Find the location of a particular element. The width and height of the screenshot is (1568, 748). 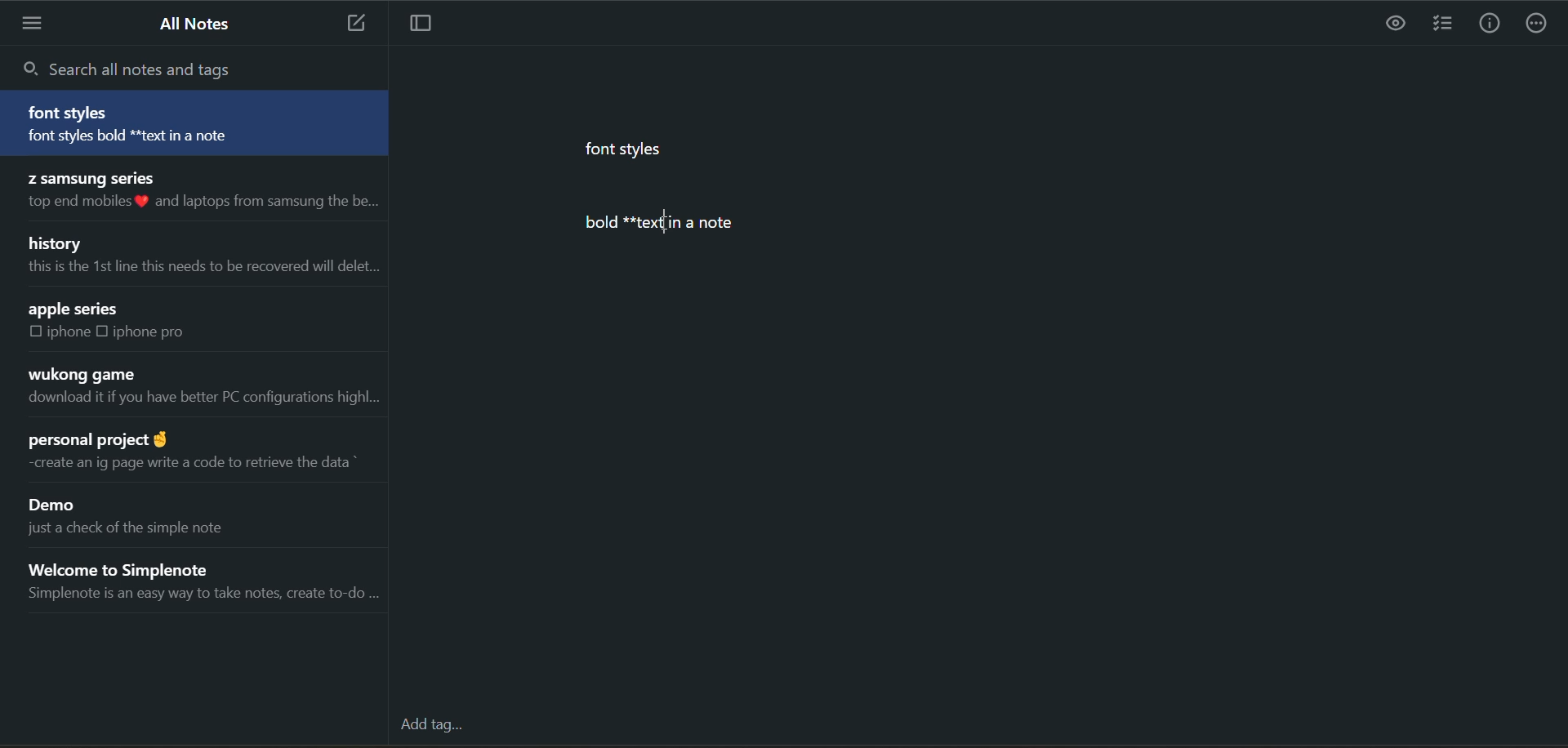

info is located at coordinates (1489, 25).